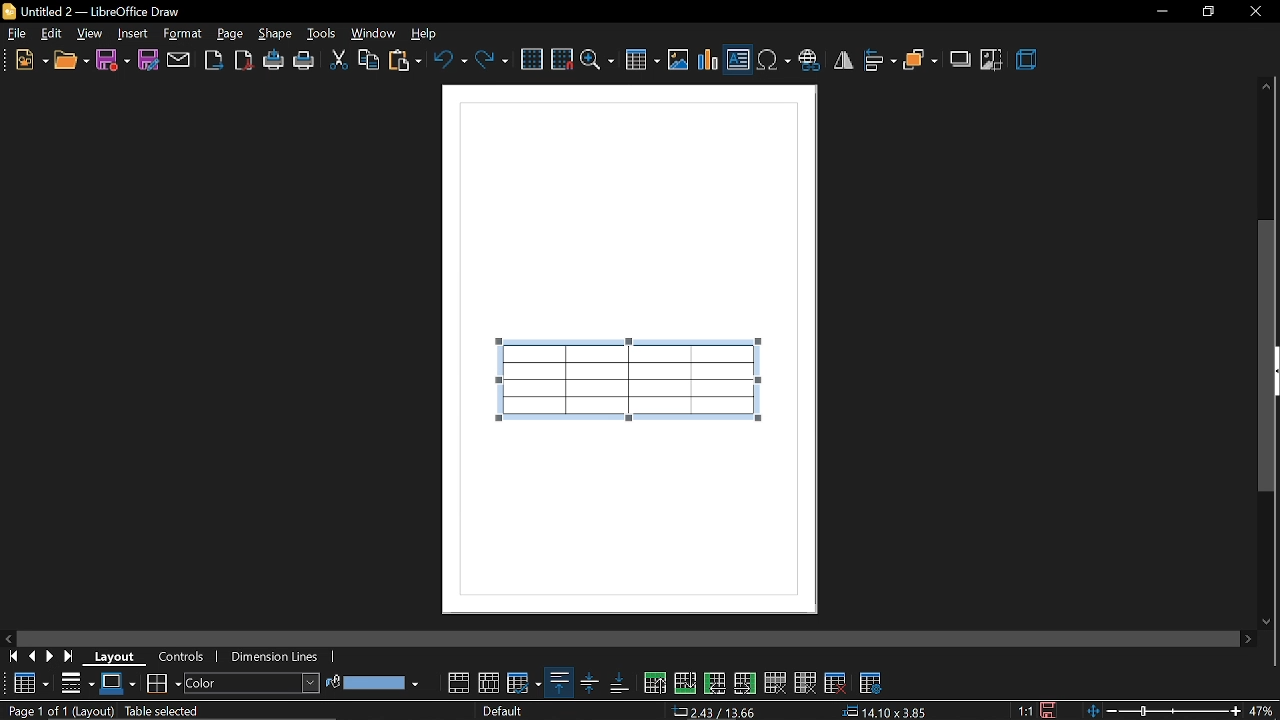 The image size is (1280, 720). What do you see at coordinates (50, 32) in the screenshot?
I see `edit` at bounding box center [50, 32].